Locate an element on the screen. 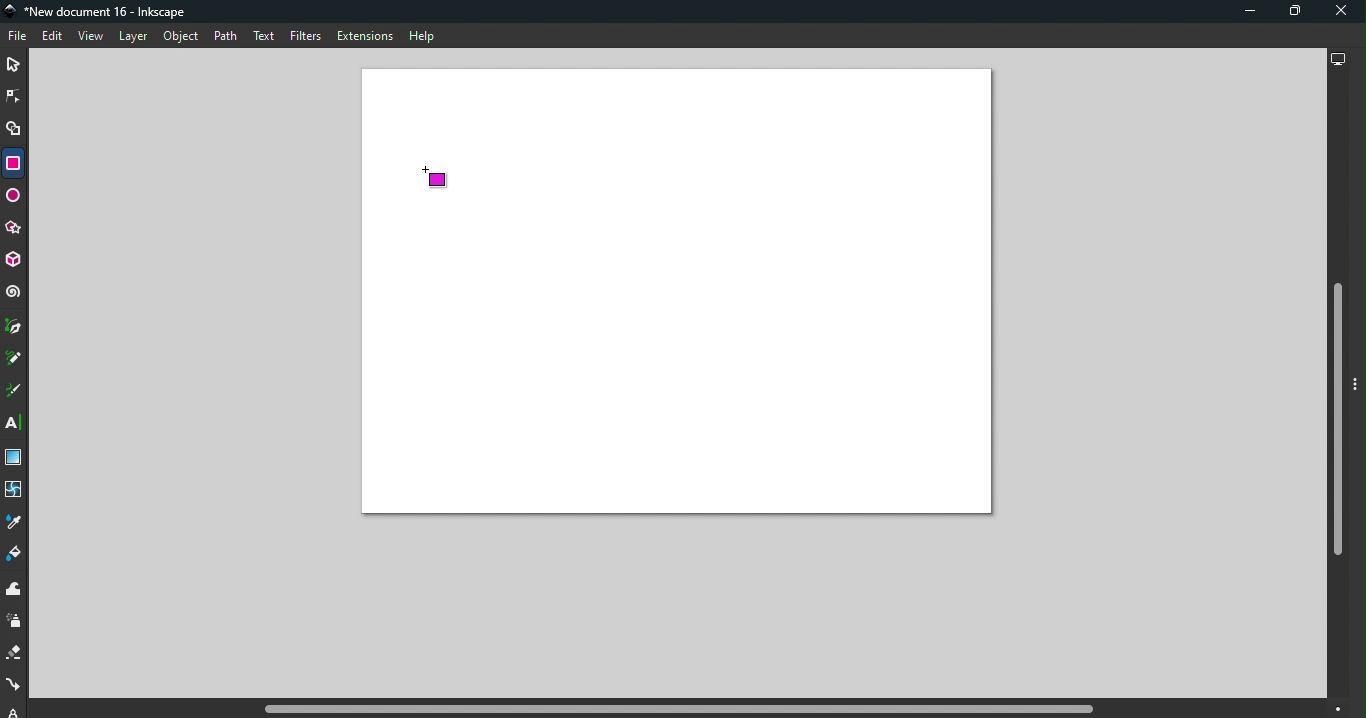  Document name is located at coordinates (100, 12).